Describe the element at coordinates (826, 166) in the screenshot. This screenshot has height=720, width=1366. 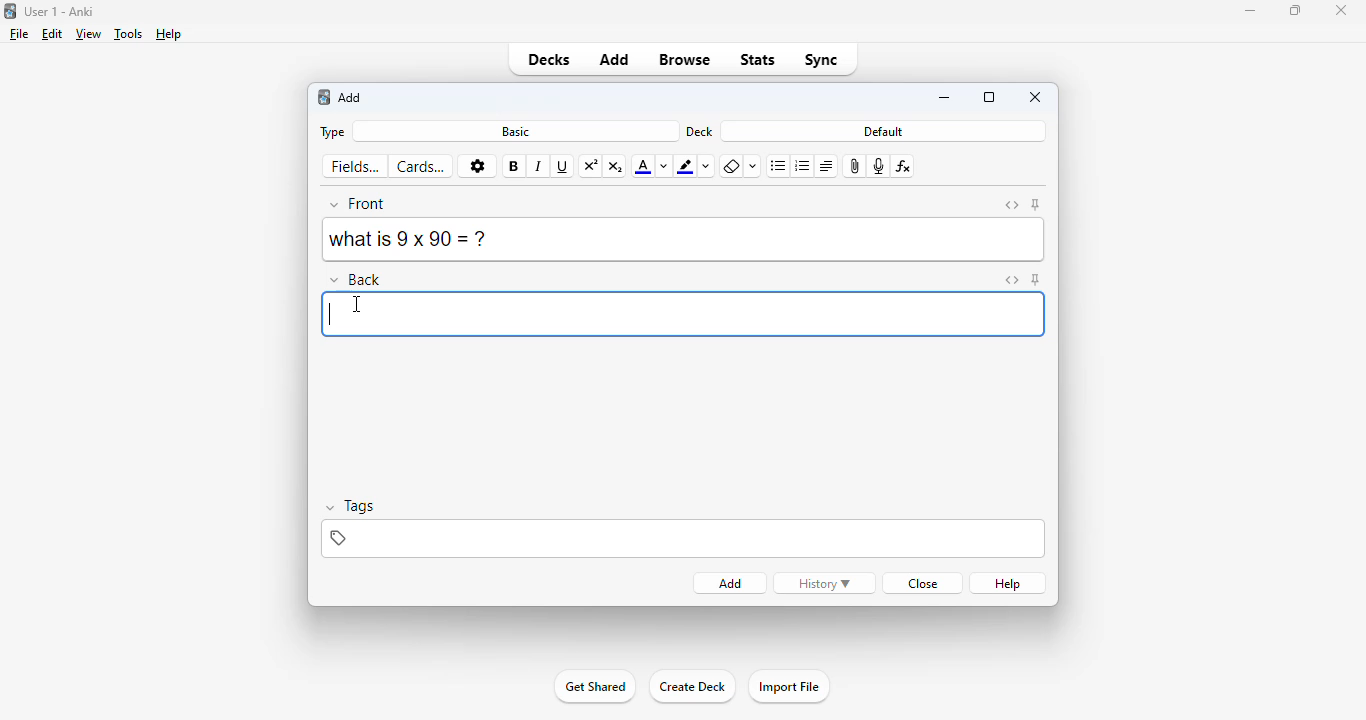
I see `alignment` at that location.